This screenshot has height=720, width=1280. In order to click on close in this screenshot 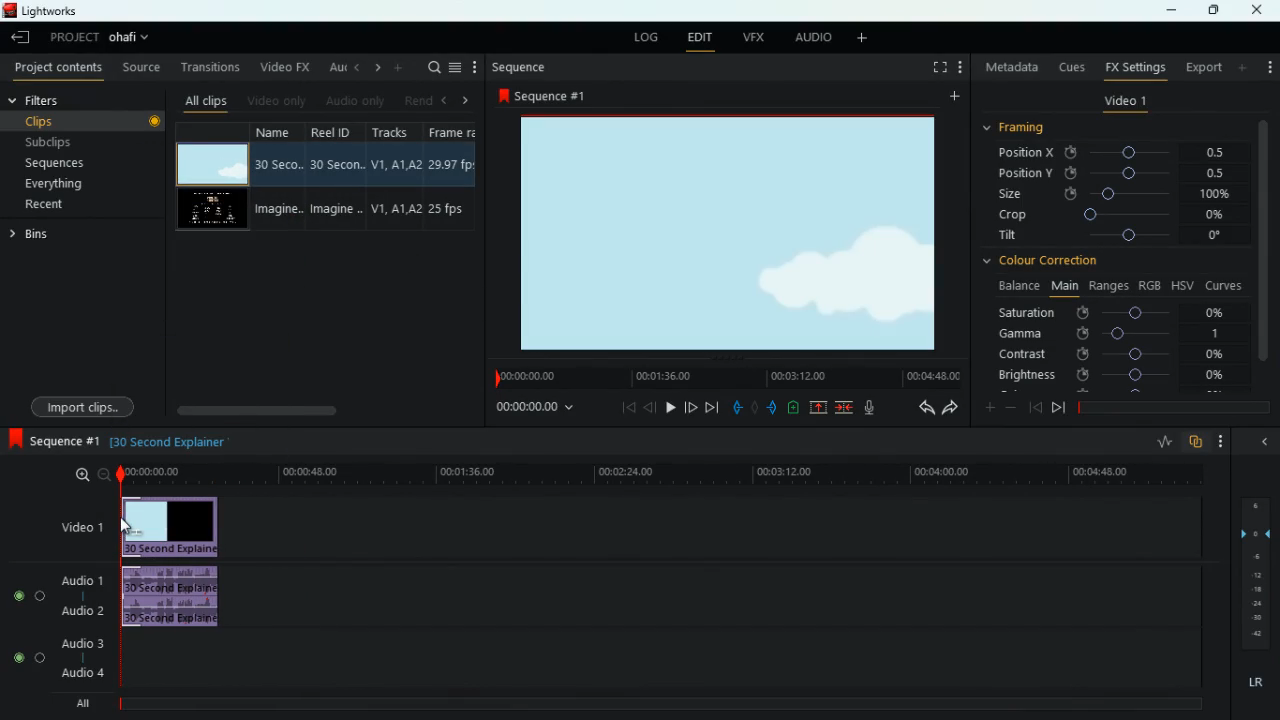, I will do `click(1261, 443)`.